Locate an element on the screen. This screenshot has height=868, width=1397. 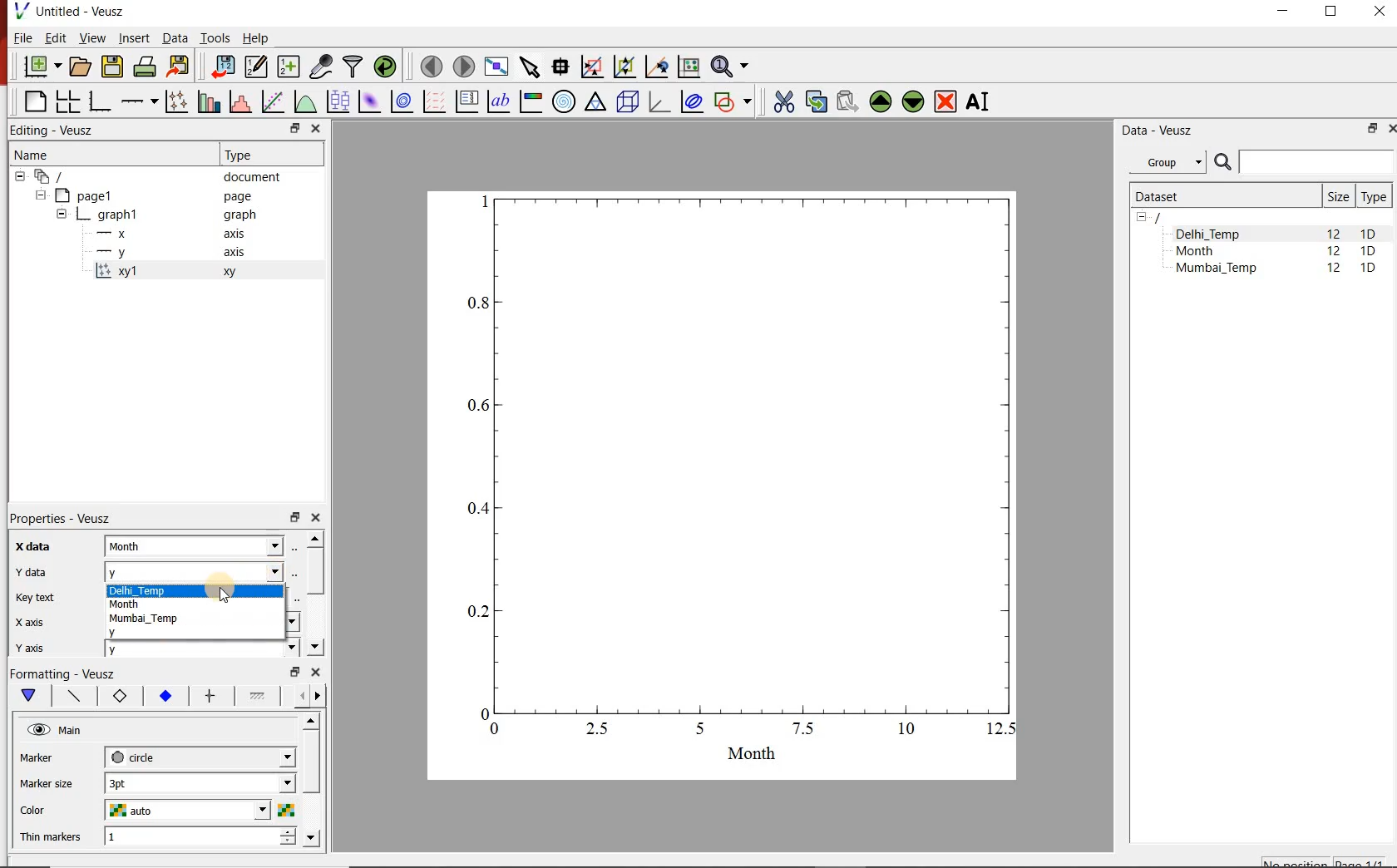
Add an axis to the plot is located at coordinates (137, 101).